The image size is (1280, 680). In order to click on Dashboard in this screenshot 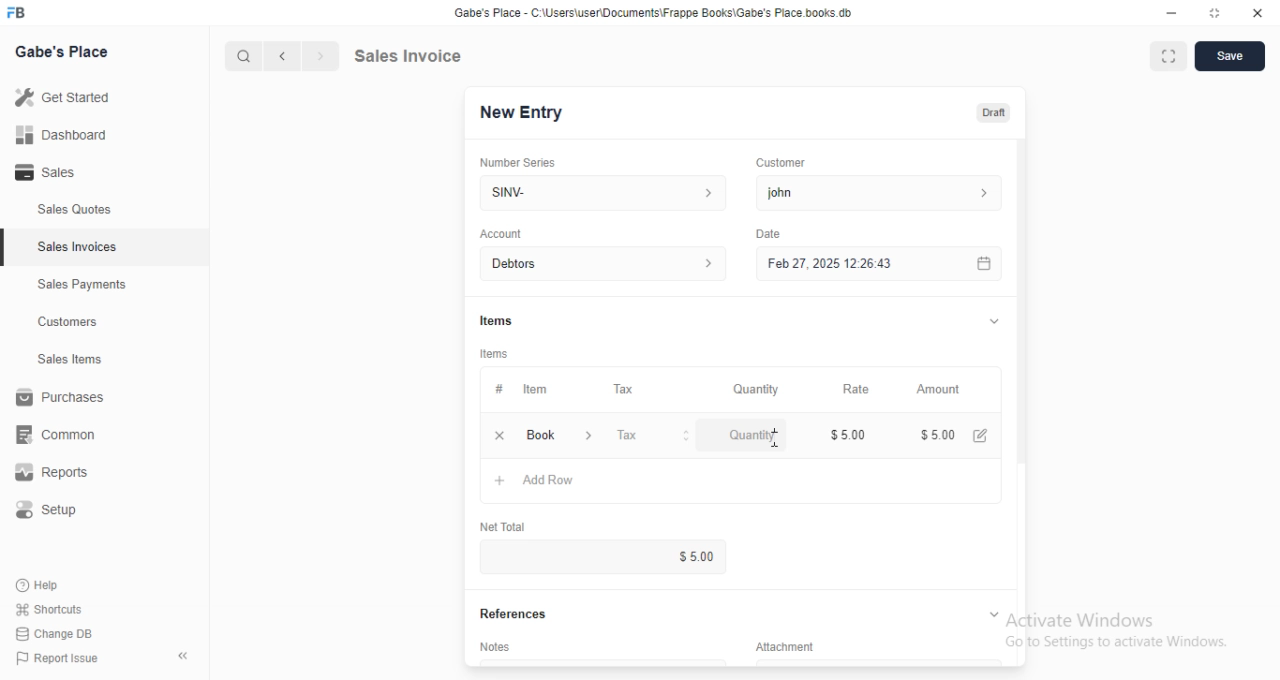, I will do `click(61, 135)`.